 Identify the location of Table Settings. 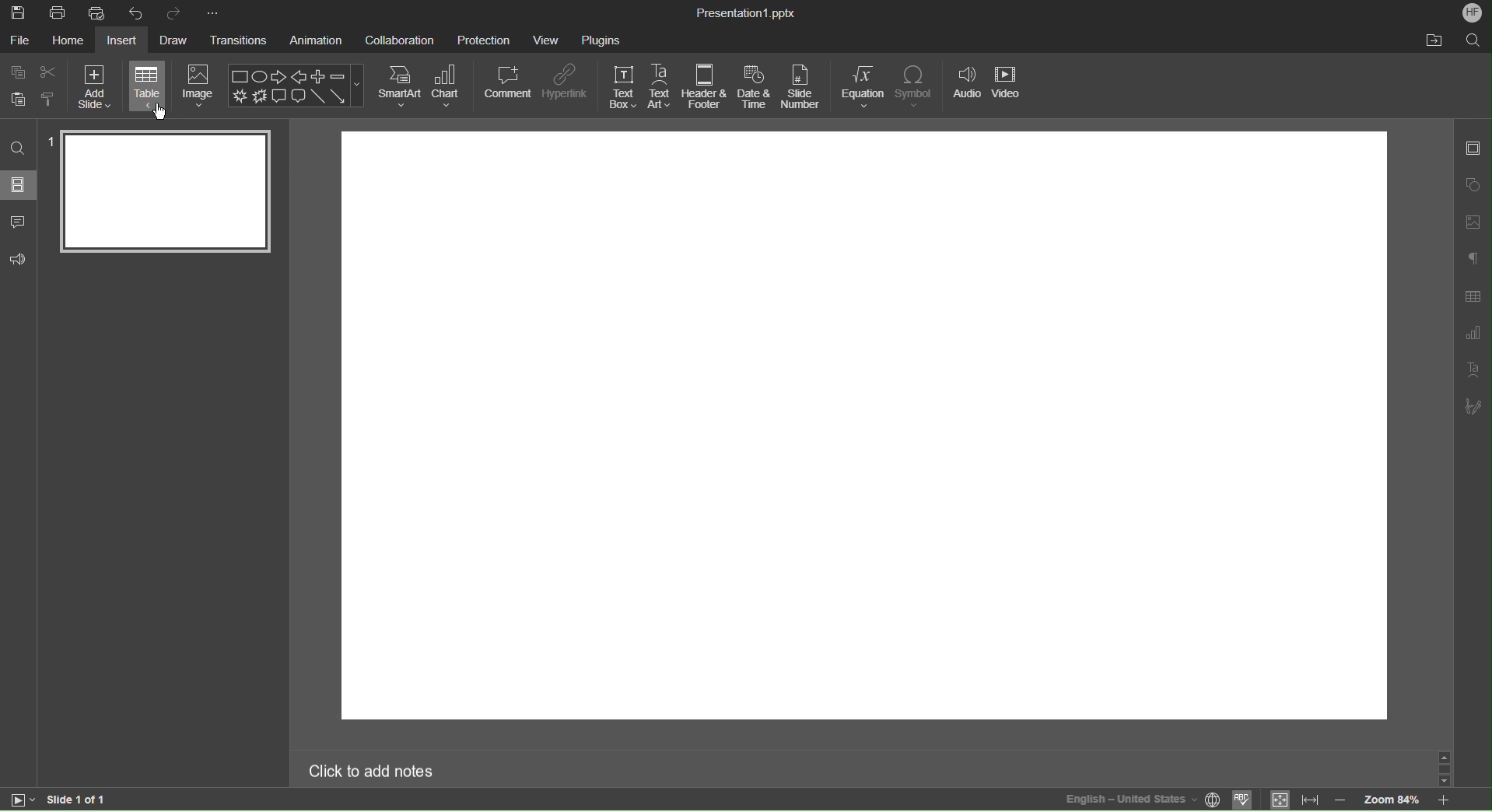
(1473, 296).